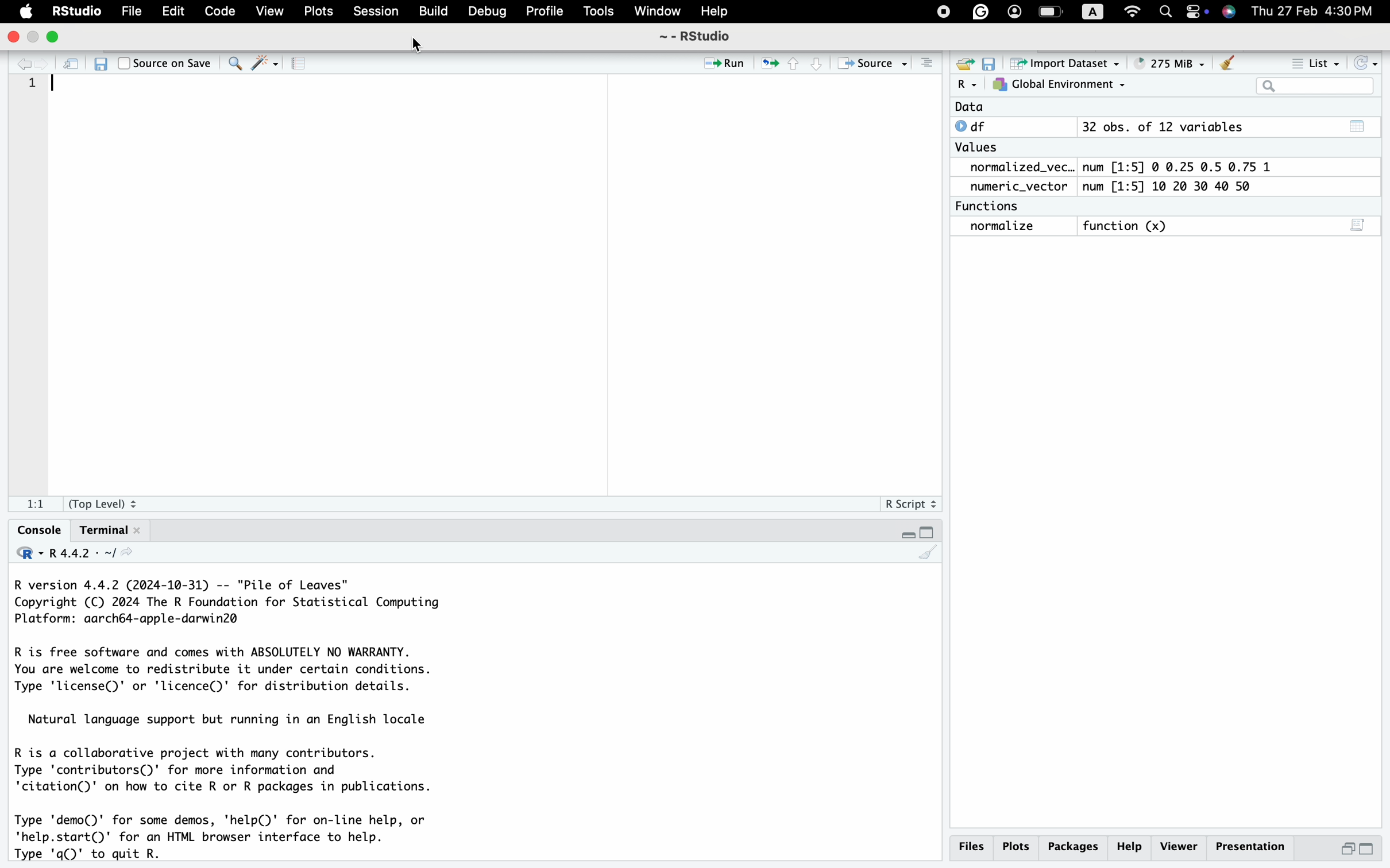  What do you see at coordinates (1093, 12) in the screenshot?
I see `A` at bounding box center [1093, 12].